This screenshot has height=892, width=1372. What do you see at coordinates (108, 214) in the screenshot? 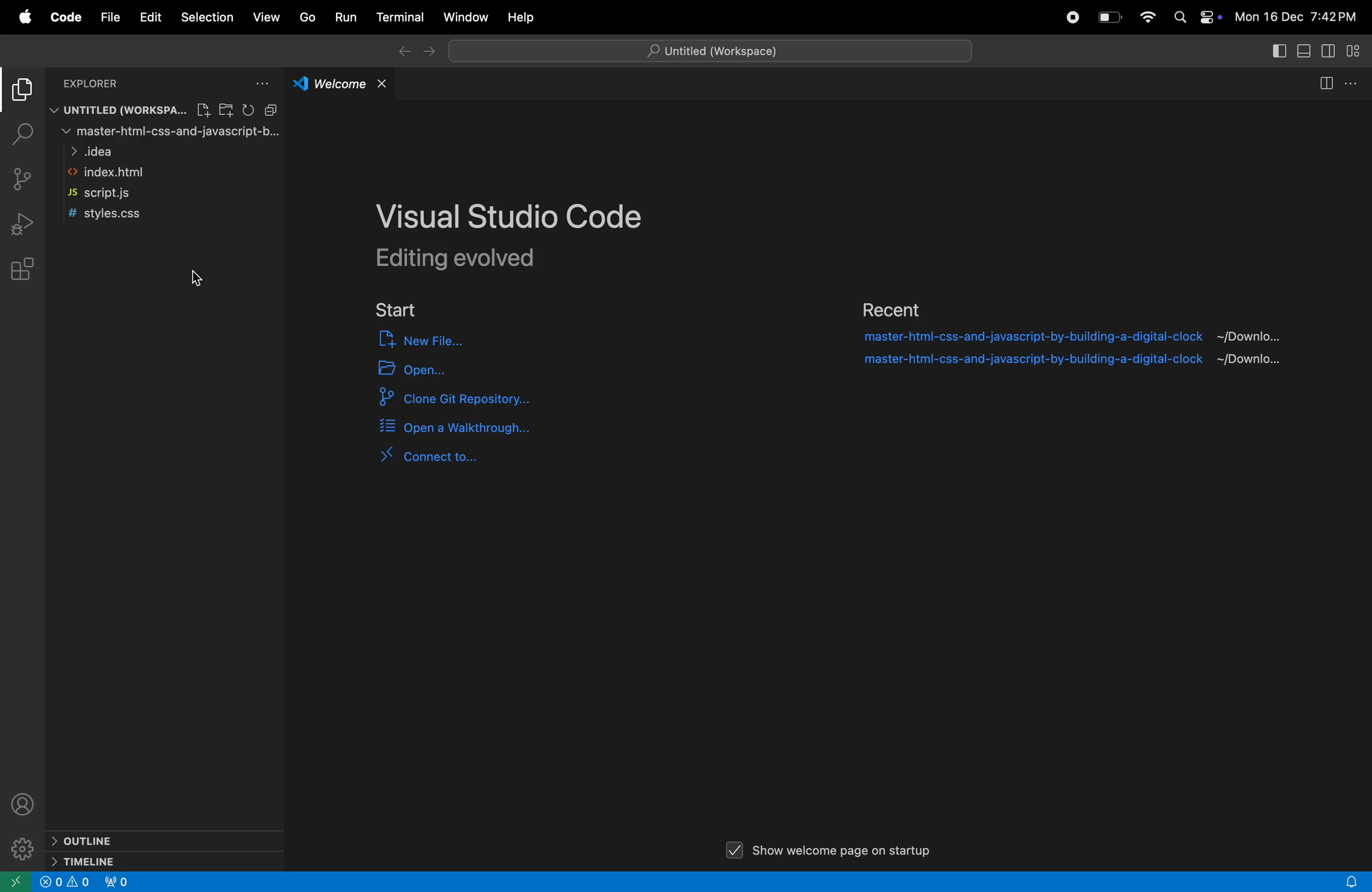
I see `# styles.css` at bounding box center [108, 214].